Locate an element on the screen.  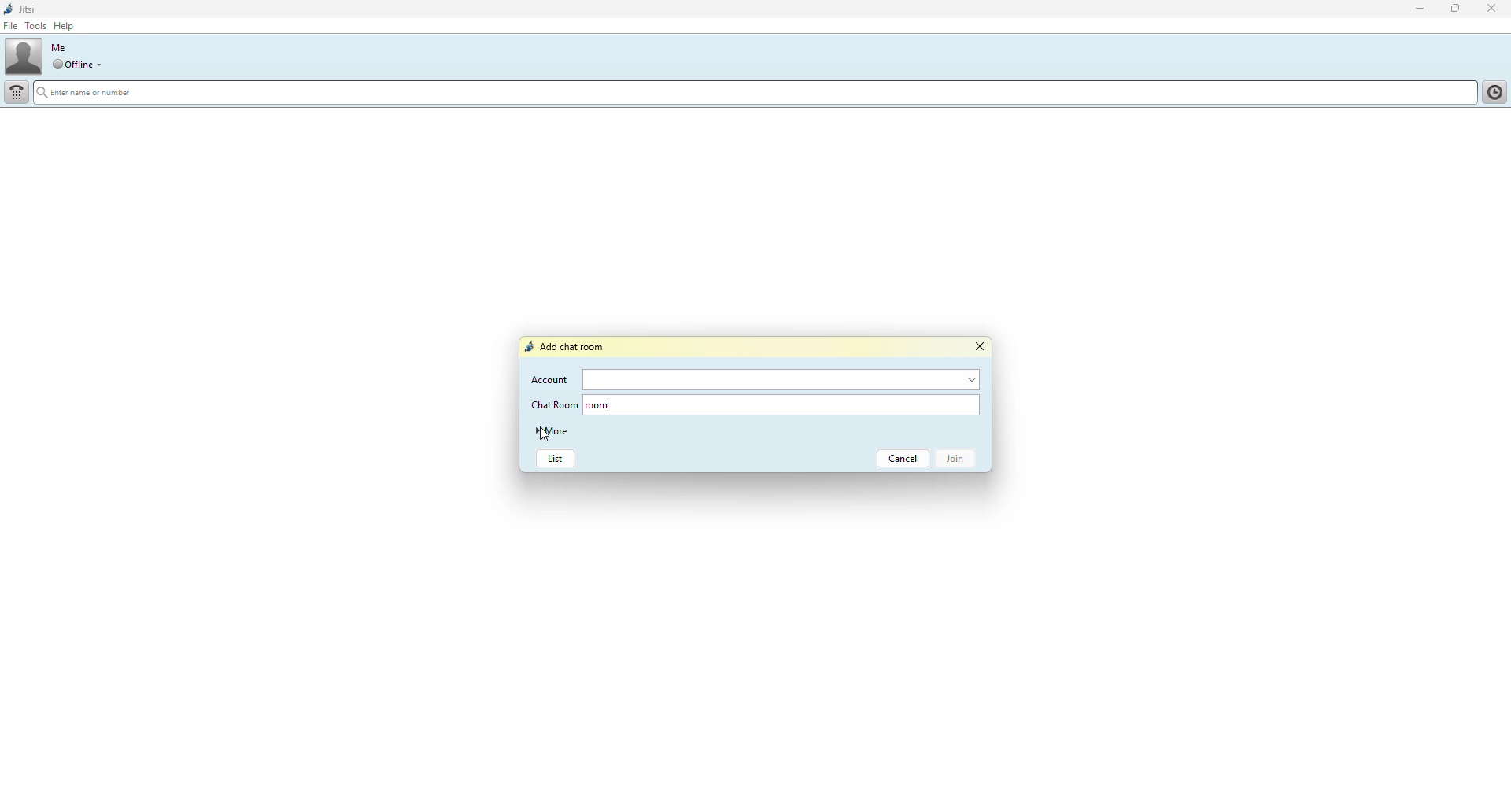
maximize is located at coordinates (1454, 9).